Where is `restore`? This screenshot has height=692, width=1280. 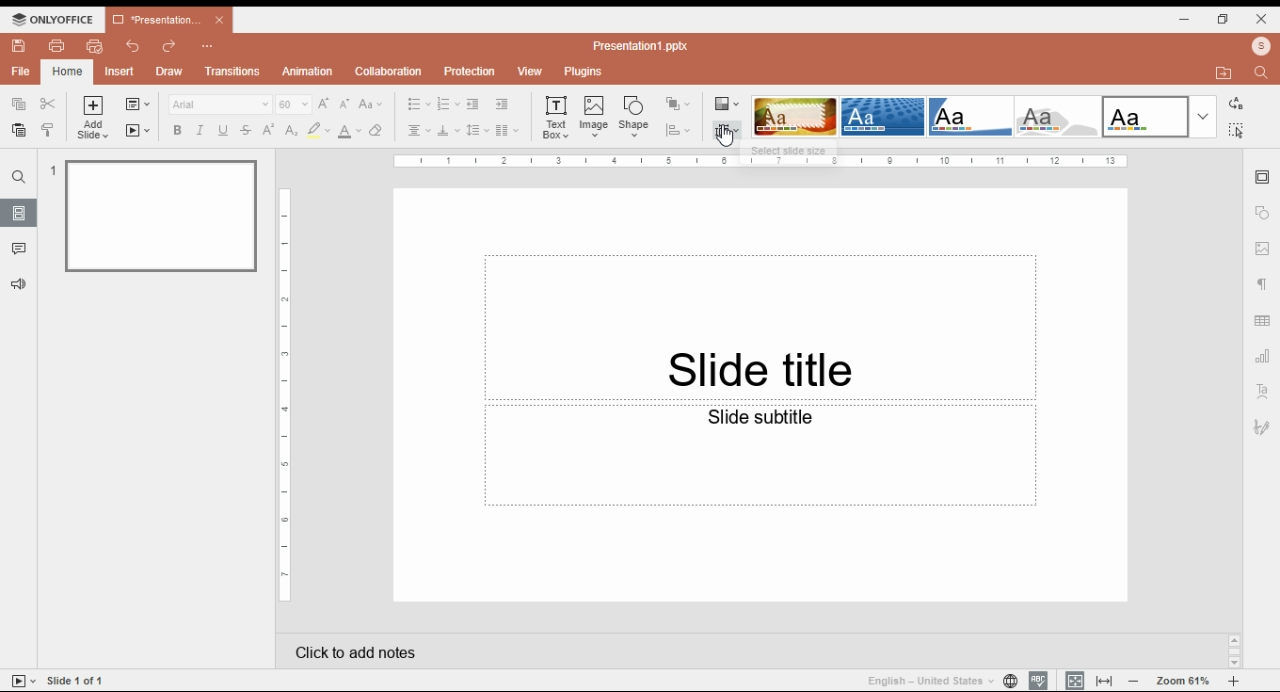 restore is located at coordinates (1223, 19).